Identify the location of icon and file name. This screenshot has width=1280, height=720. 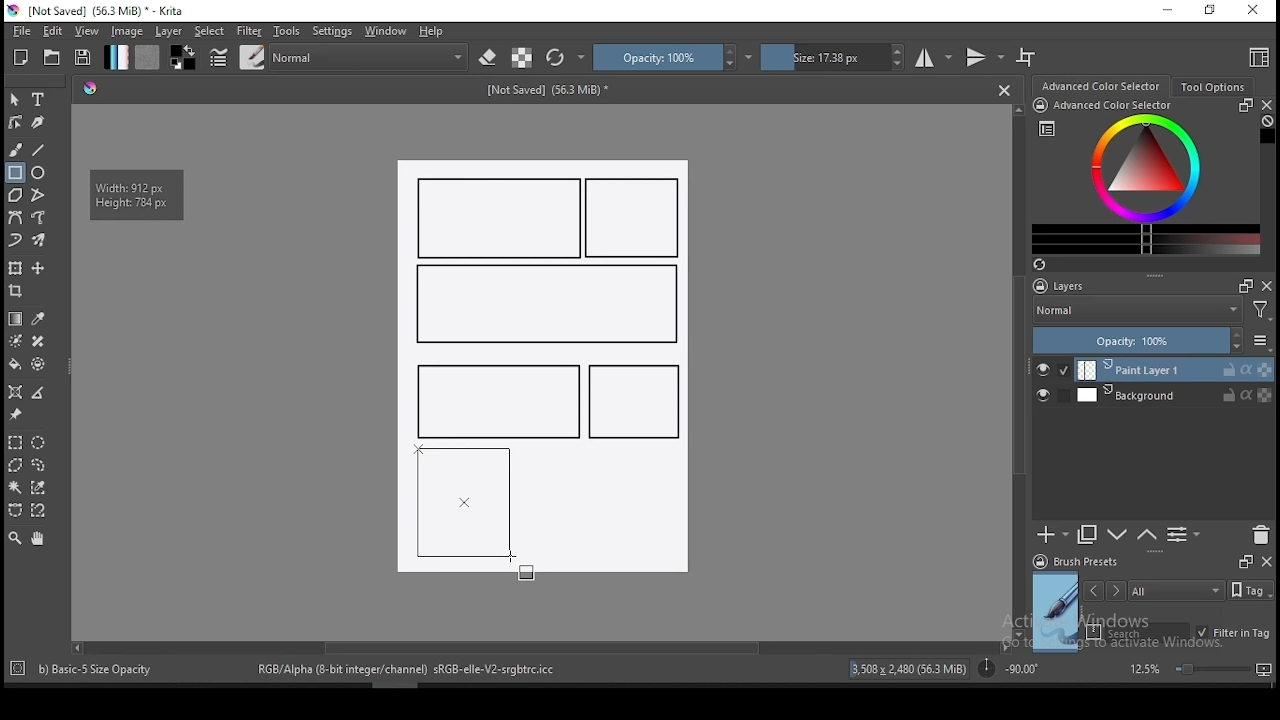
(99, 11).